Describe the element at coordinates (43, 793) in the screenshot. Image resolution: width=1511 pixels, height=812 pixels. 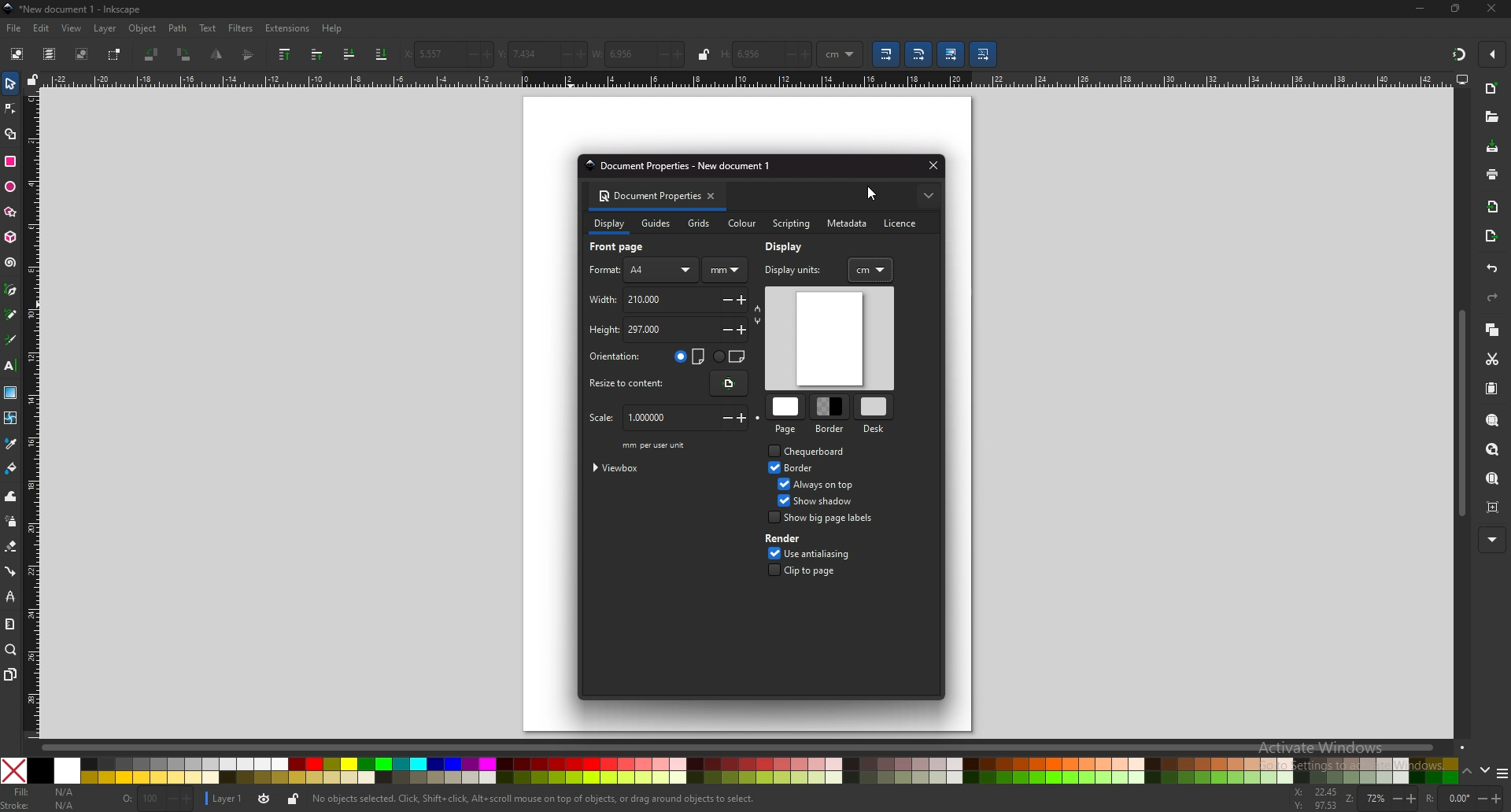
I see `fill` at that location.